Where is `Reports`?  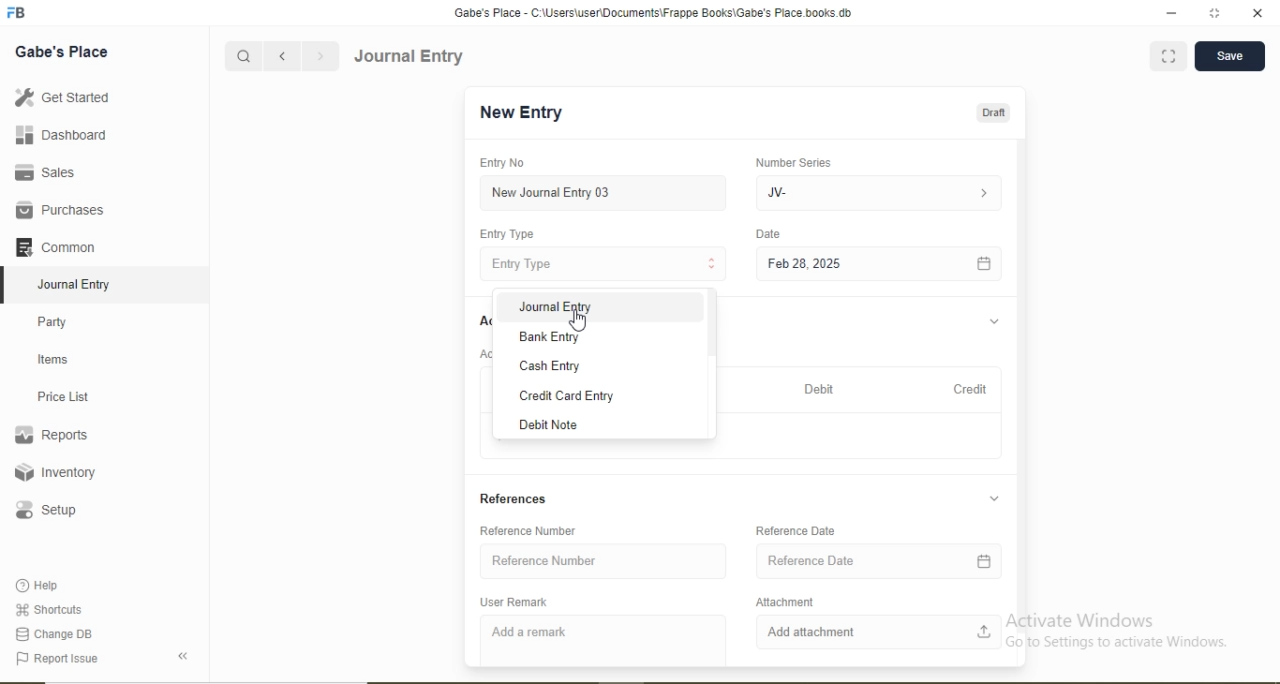 Reports is located at coordinates (51, 435).